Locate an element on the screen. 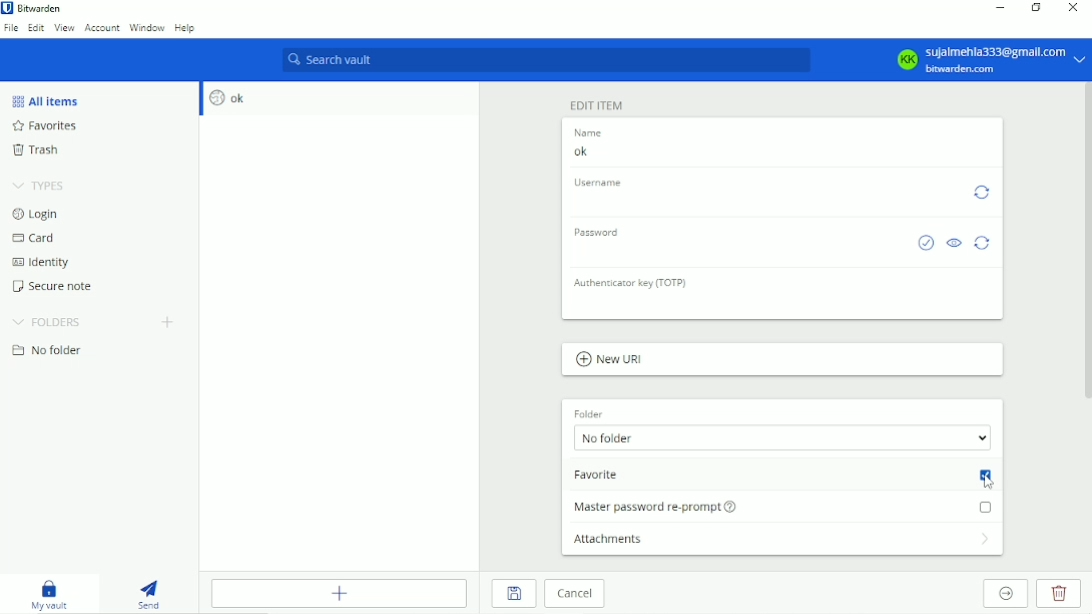 Image resolution: width=1092 pixels, height=614 pixels. bitwarden logo is located at coordinates (7, 8).